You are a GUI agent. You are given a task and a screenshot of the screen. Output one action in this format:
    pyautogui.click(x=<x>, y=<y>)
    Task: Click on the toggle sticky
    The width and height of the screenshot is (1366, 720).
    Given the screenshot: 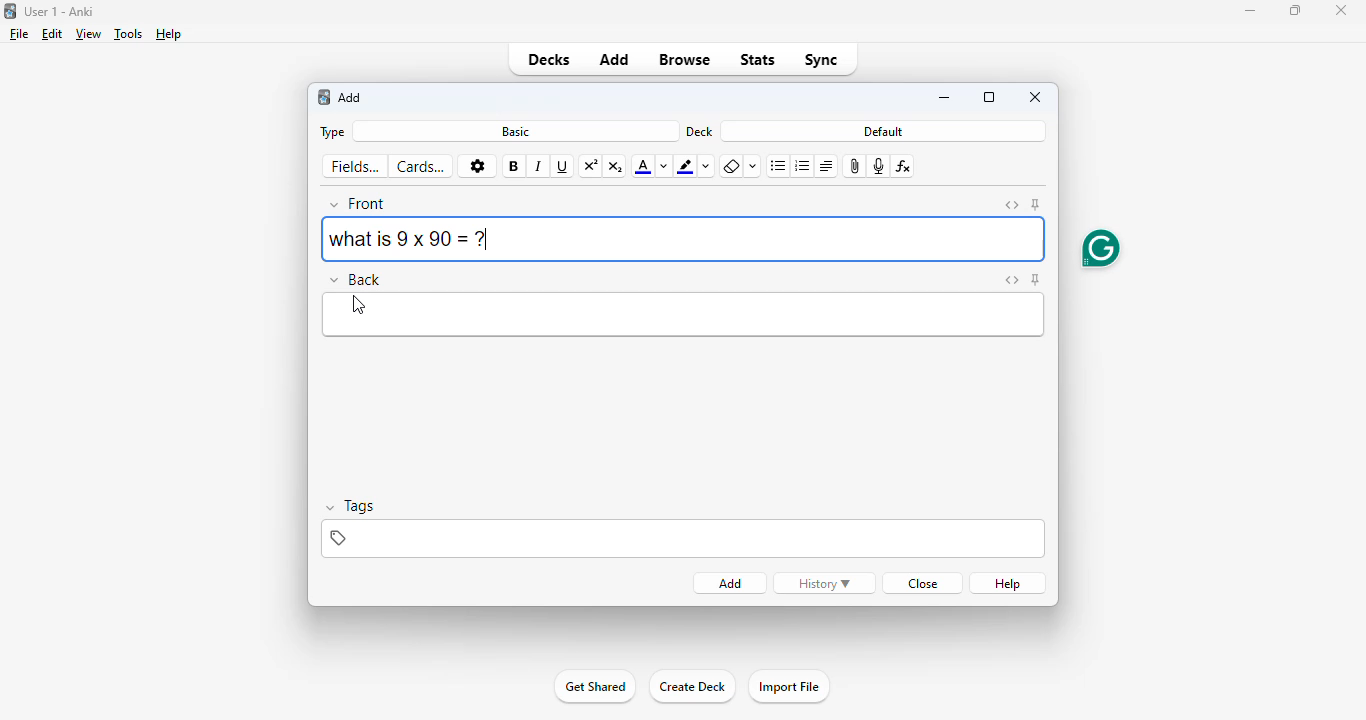 What is the action you would take?
    pyautogui.click(x=1036, y=205)
    